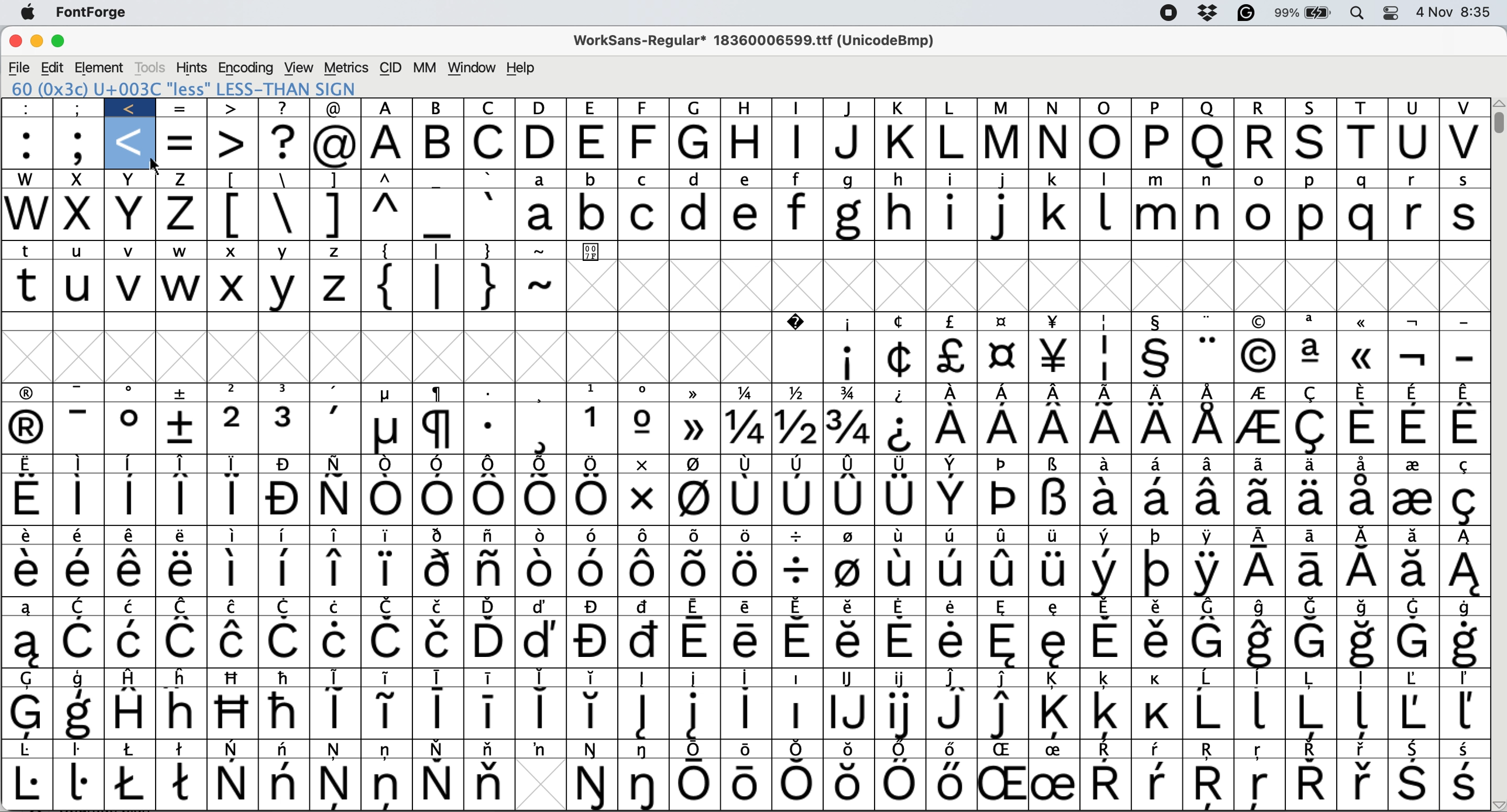 This screenshot has height=812, width=1507. Describe the element at coordinates (285, 390) in the screenshot. I see `3` at that location.